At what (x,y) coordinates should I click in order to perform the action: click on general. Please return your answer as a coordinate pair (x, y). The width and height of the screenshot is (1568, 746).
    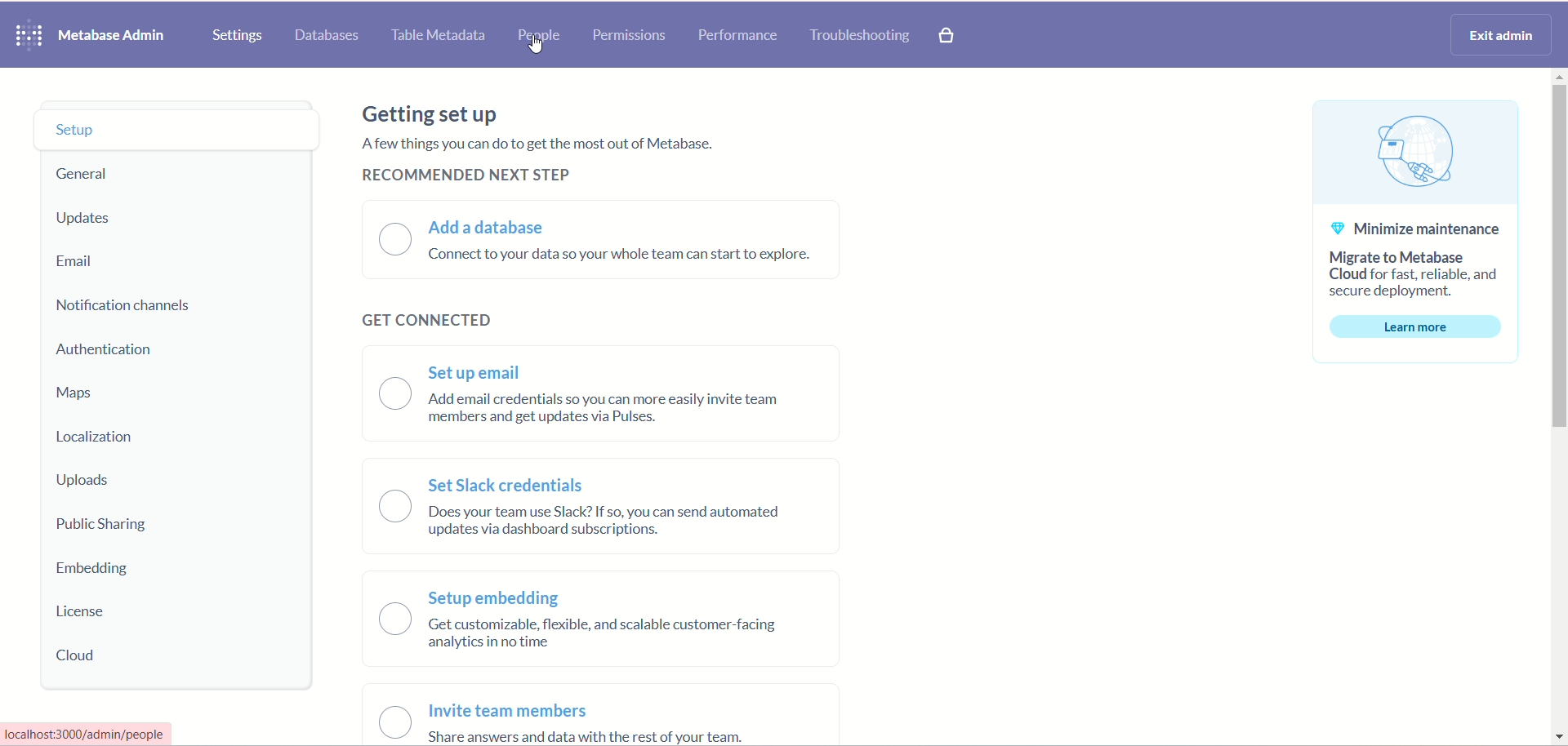
    Looking at the image, I should click on (89, 174).